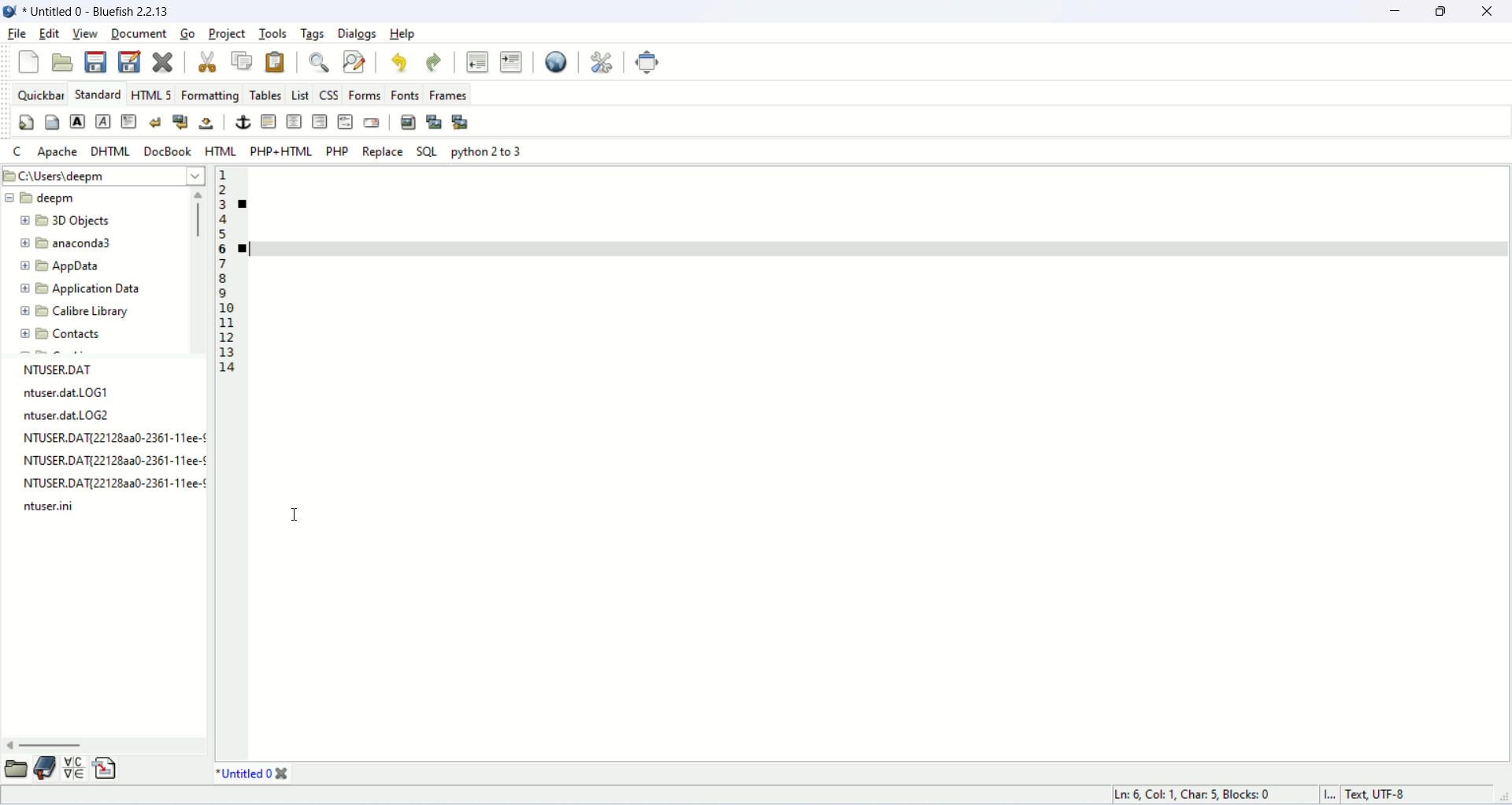 The image size is (1512, 805). Describe the element at coordinates (135, 32) in the screenshot. I see `document` at that location.